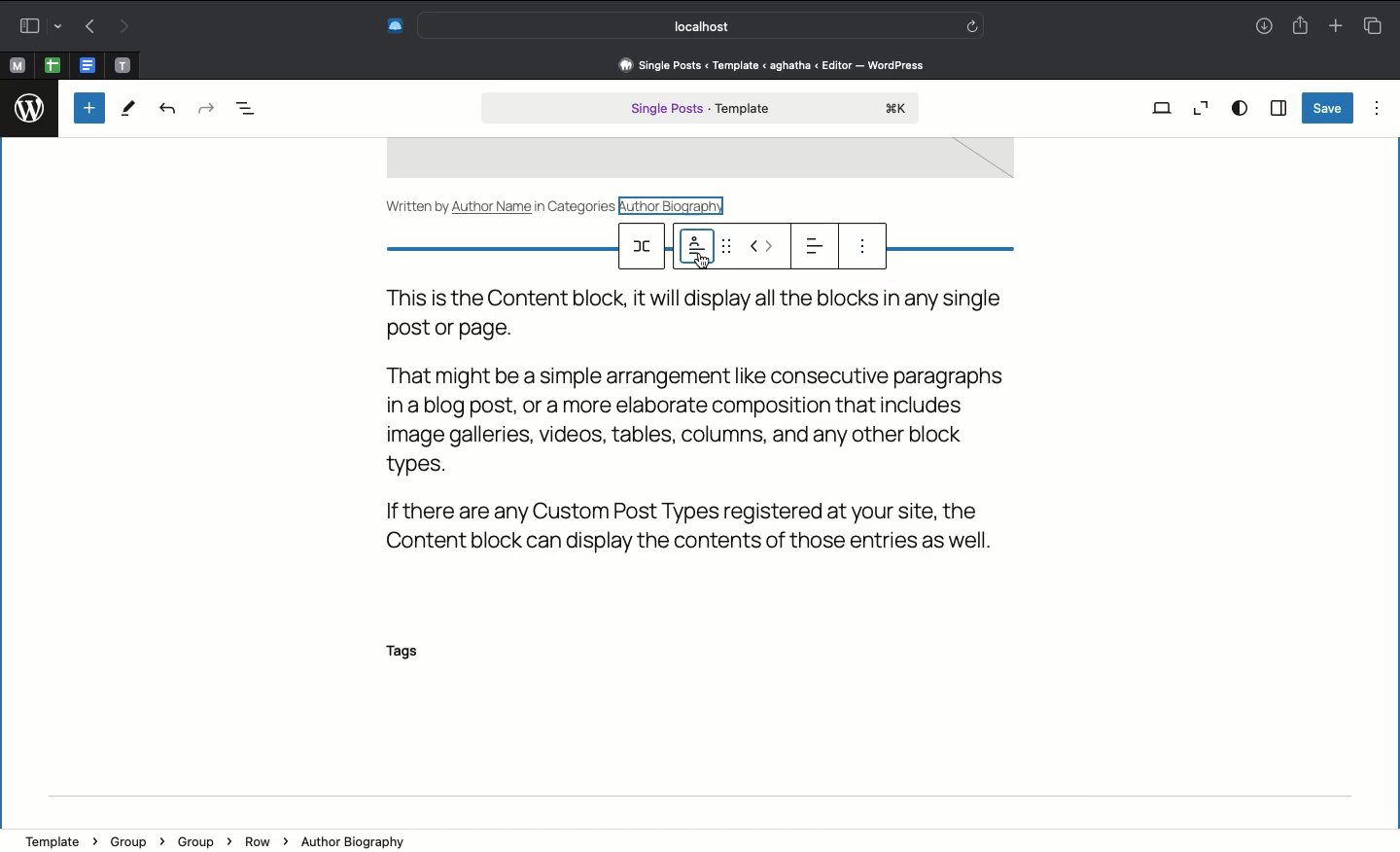  Describe the element at coordinates (1326, 108) in the screenshot. I see `Save` at that location.